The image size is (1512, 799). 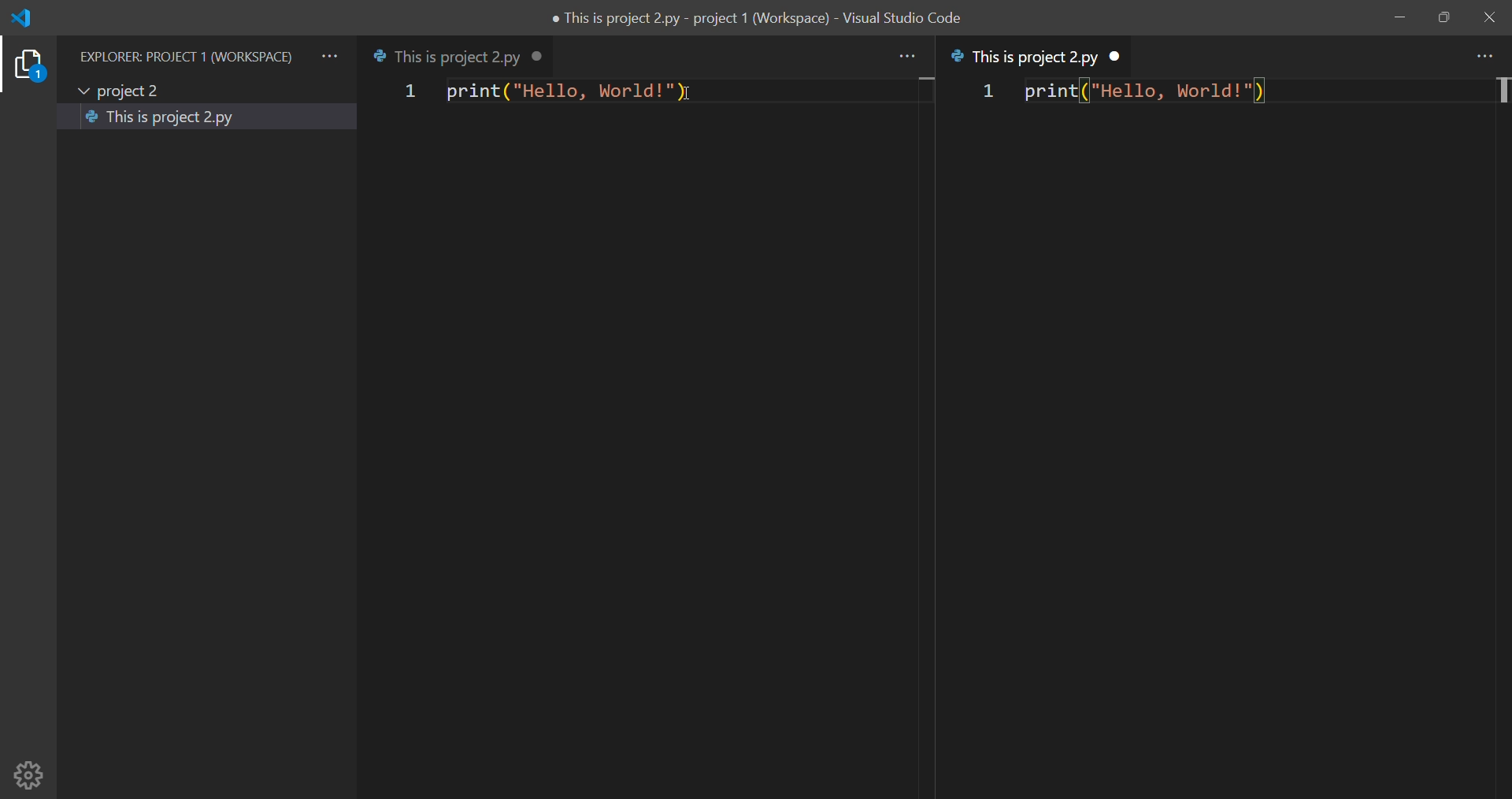 I want to click on This is project 2.py - project 1 (Workspace) - Visual Studio Code, so click(x=759, y=17).